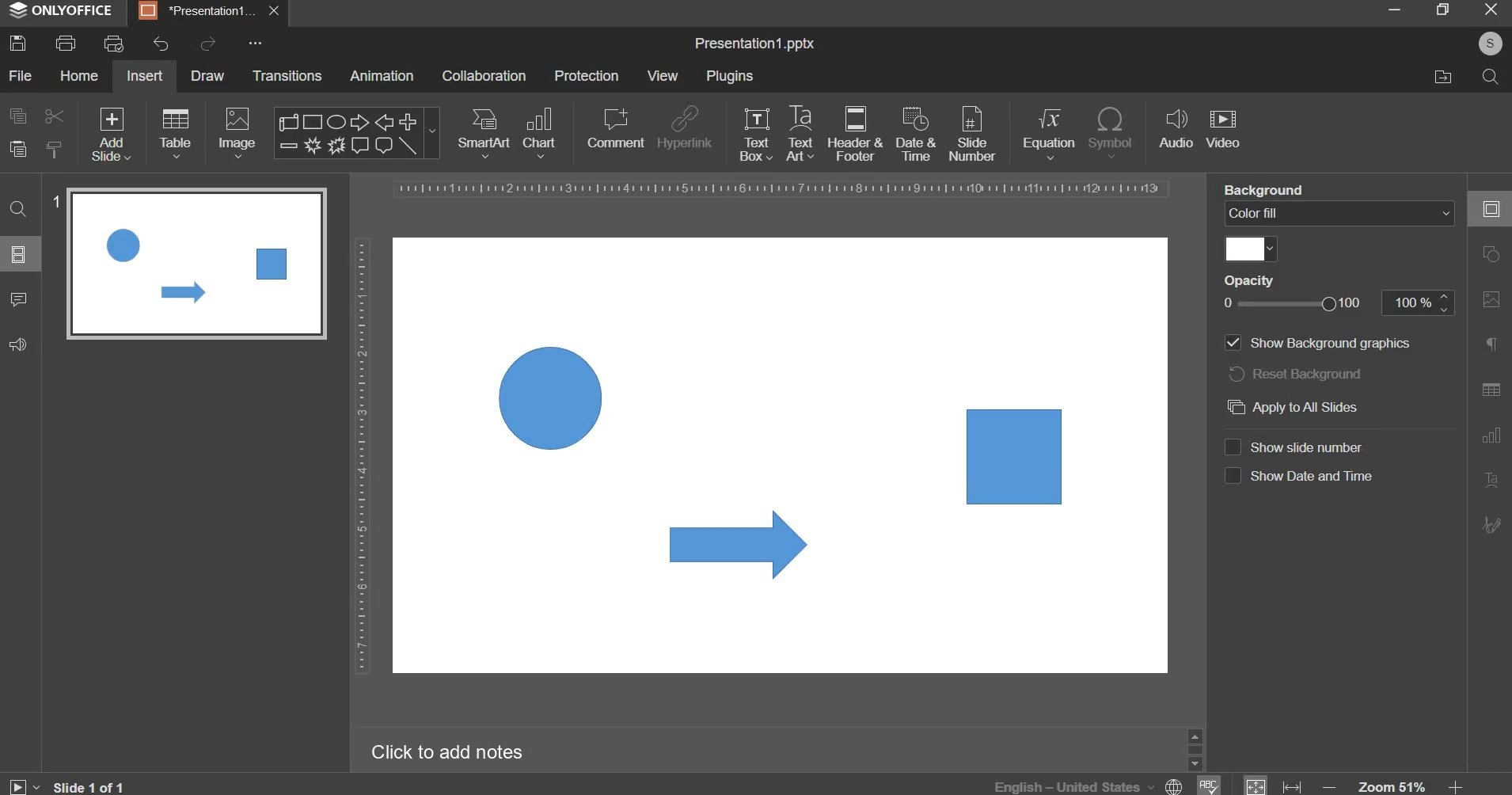 This screenshot has width=1512, height=795. I want to click on horizontal scale, so click(783, 189).